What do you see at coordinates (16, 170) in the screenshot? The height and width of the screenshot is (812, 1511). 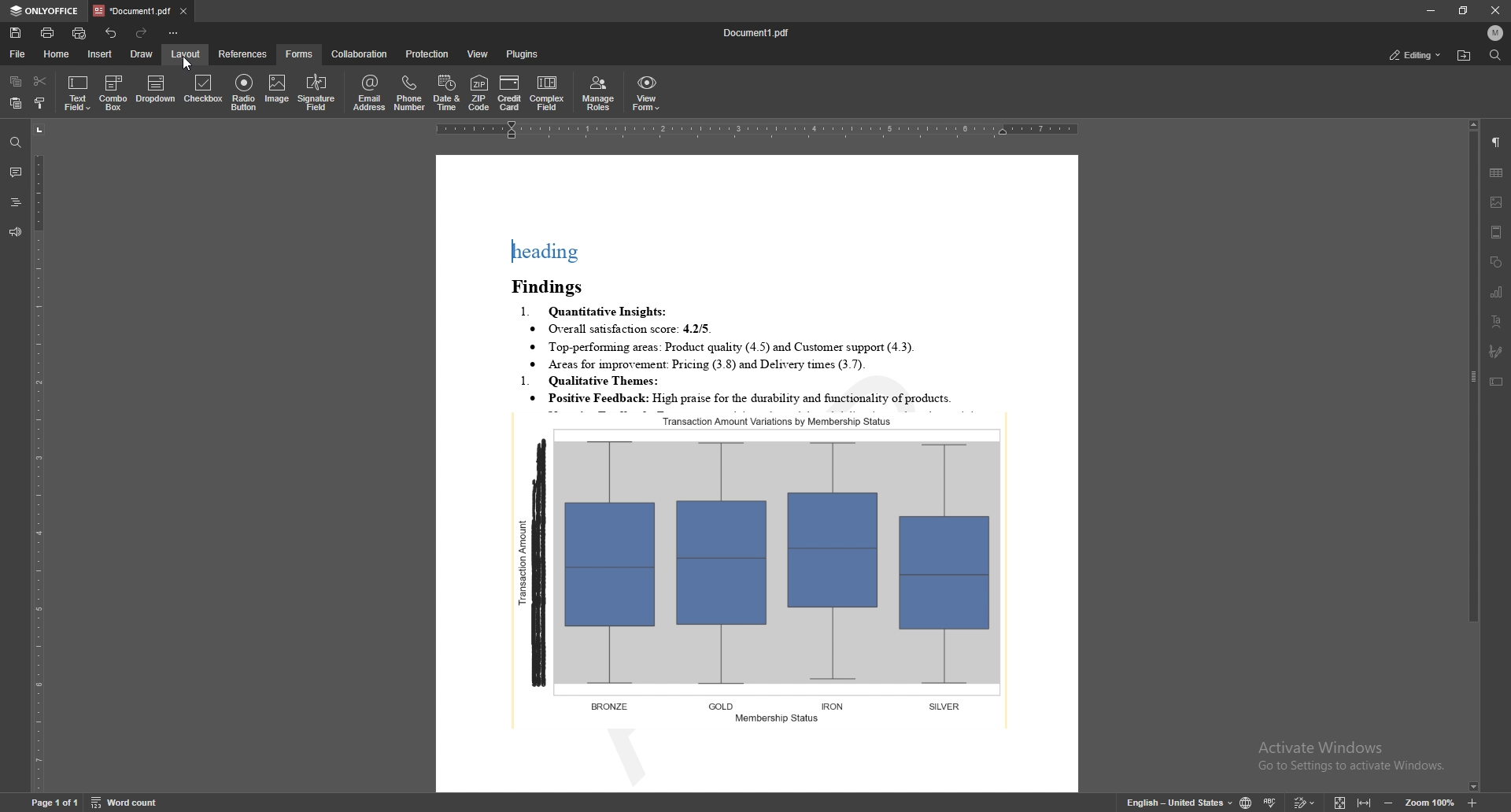 I see `comment` at bounding box center [16, 170].